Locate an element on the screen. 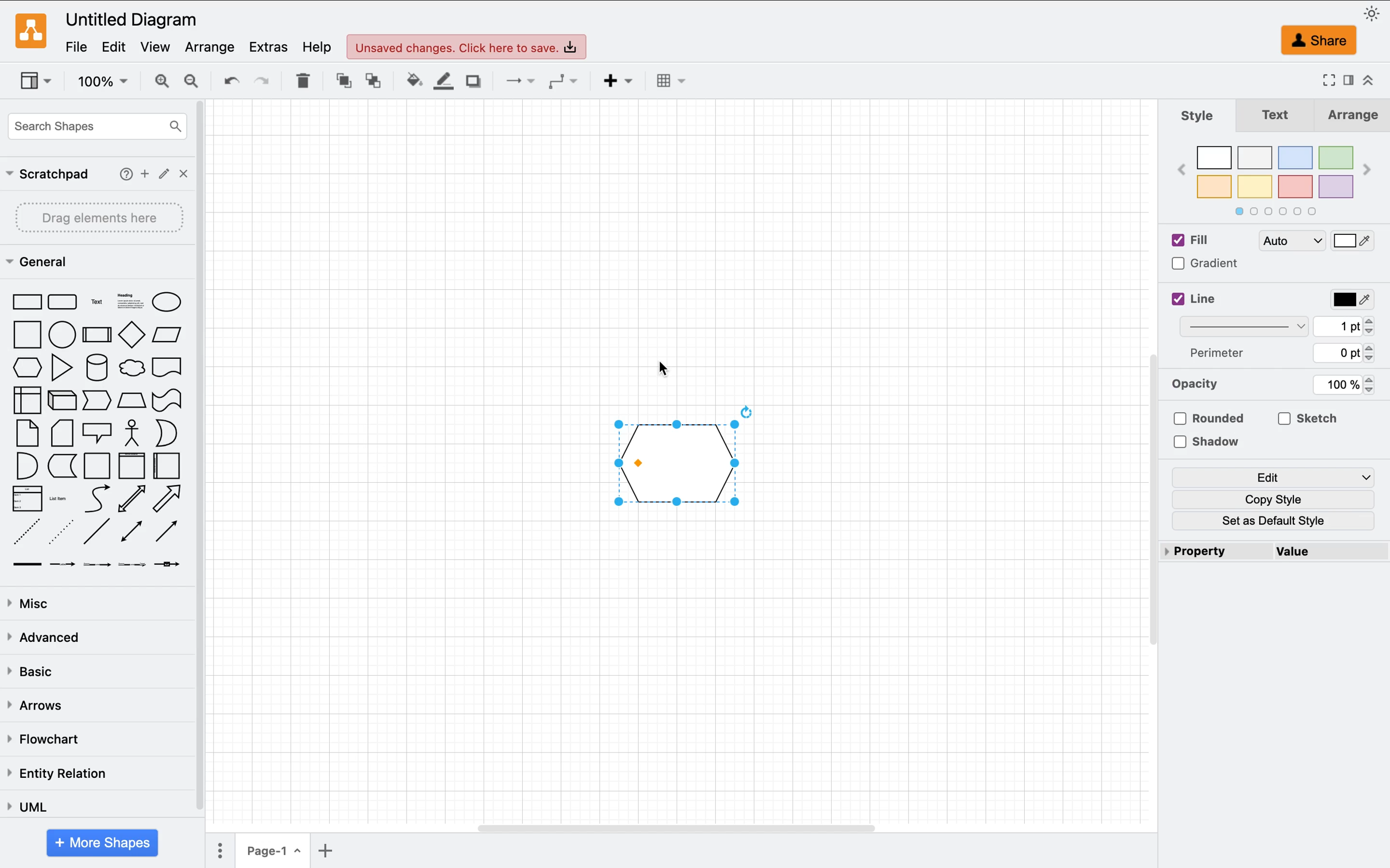 Image resolution: width=1390 pixels, height=868 pixels. trapezoid is located at coordinates (130, 401).